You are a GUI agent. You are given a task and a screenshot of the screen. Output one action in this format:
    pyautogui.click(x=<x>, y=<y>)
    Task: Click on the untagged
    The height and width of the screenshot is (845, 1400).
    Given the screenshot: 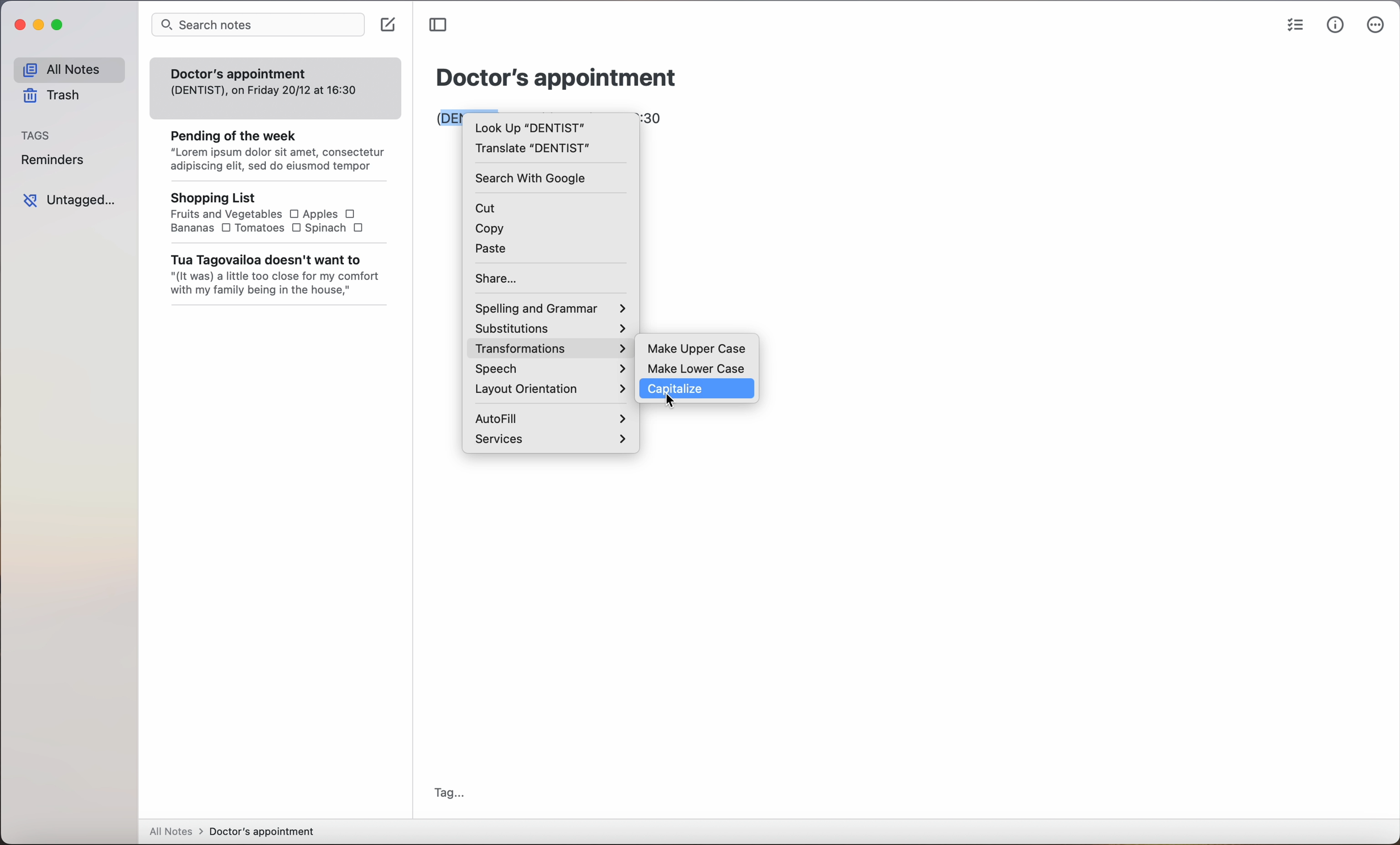 What is the action you would take?
    pyautogui.click(x=69, y=199)
    